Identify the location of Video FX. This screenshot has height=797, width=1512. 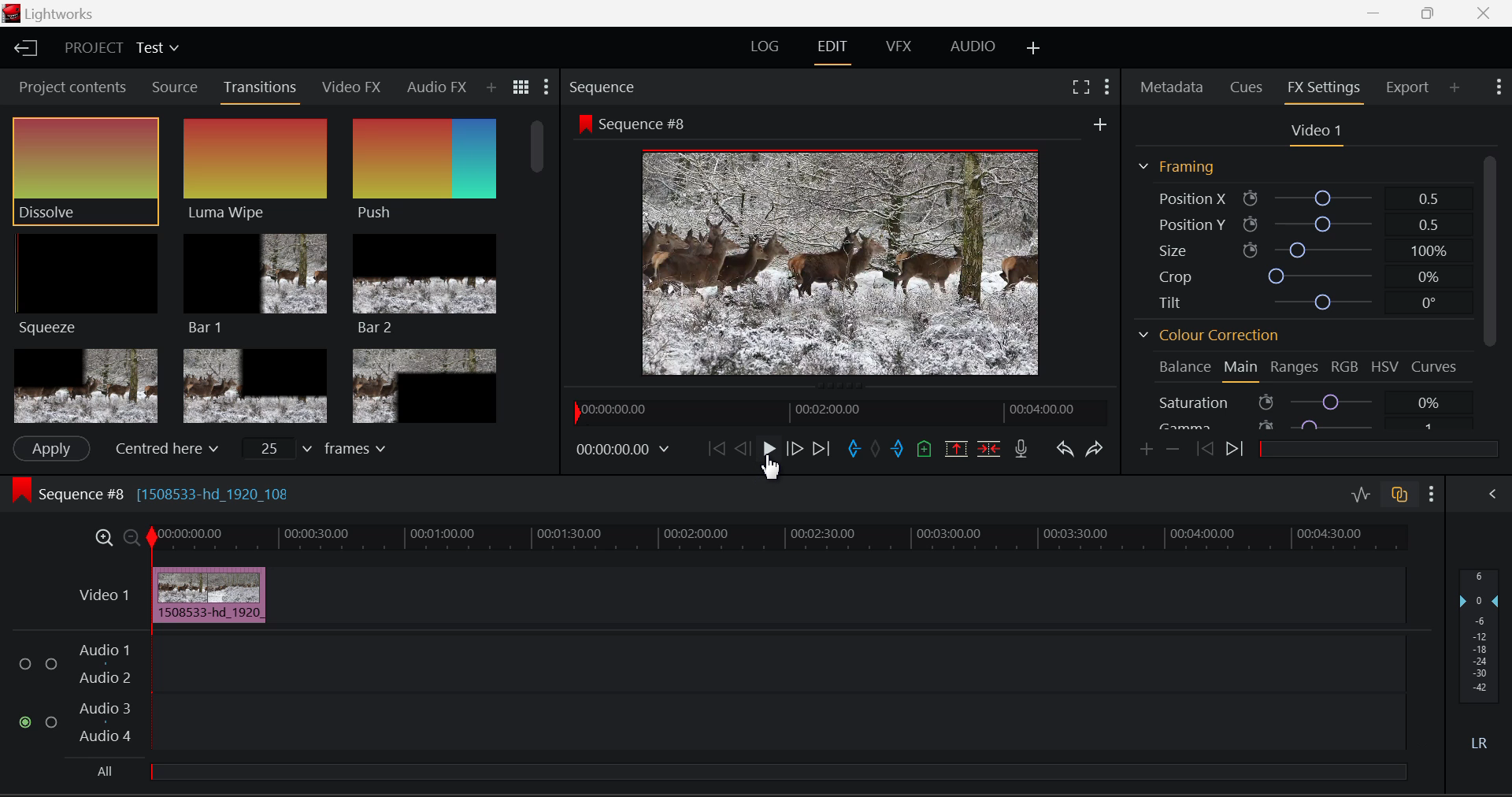
(353, 89).